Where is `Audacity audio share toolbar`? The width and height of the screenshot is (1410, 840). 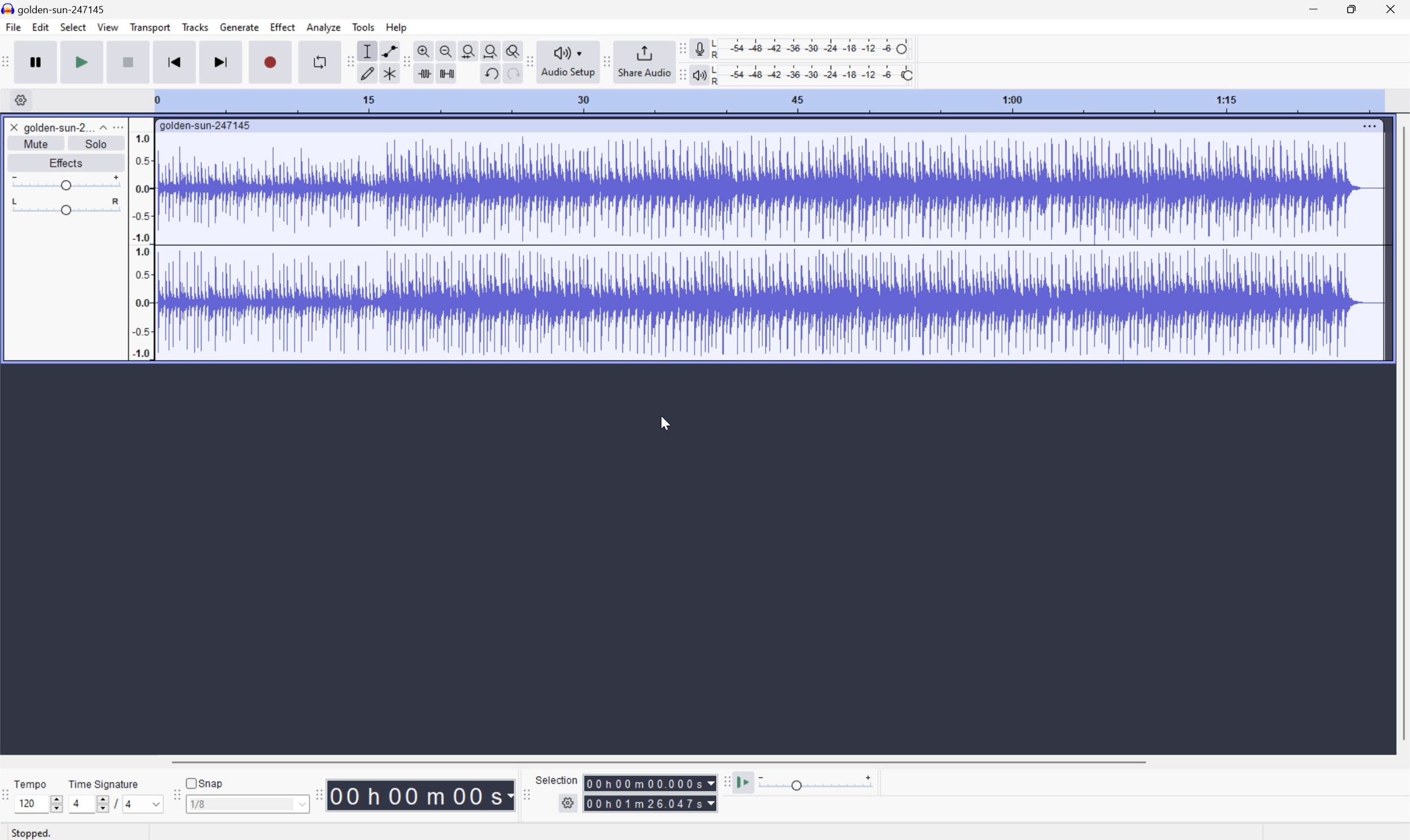
Audacity audio share toolbar is located at coordinates (530, 59).